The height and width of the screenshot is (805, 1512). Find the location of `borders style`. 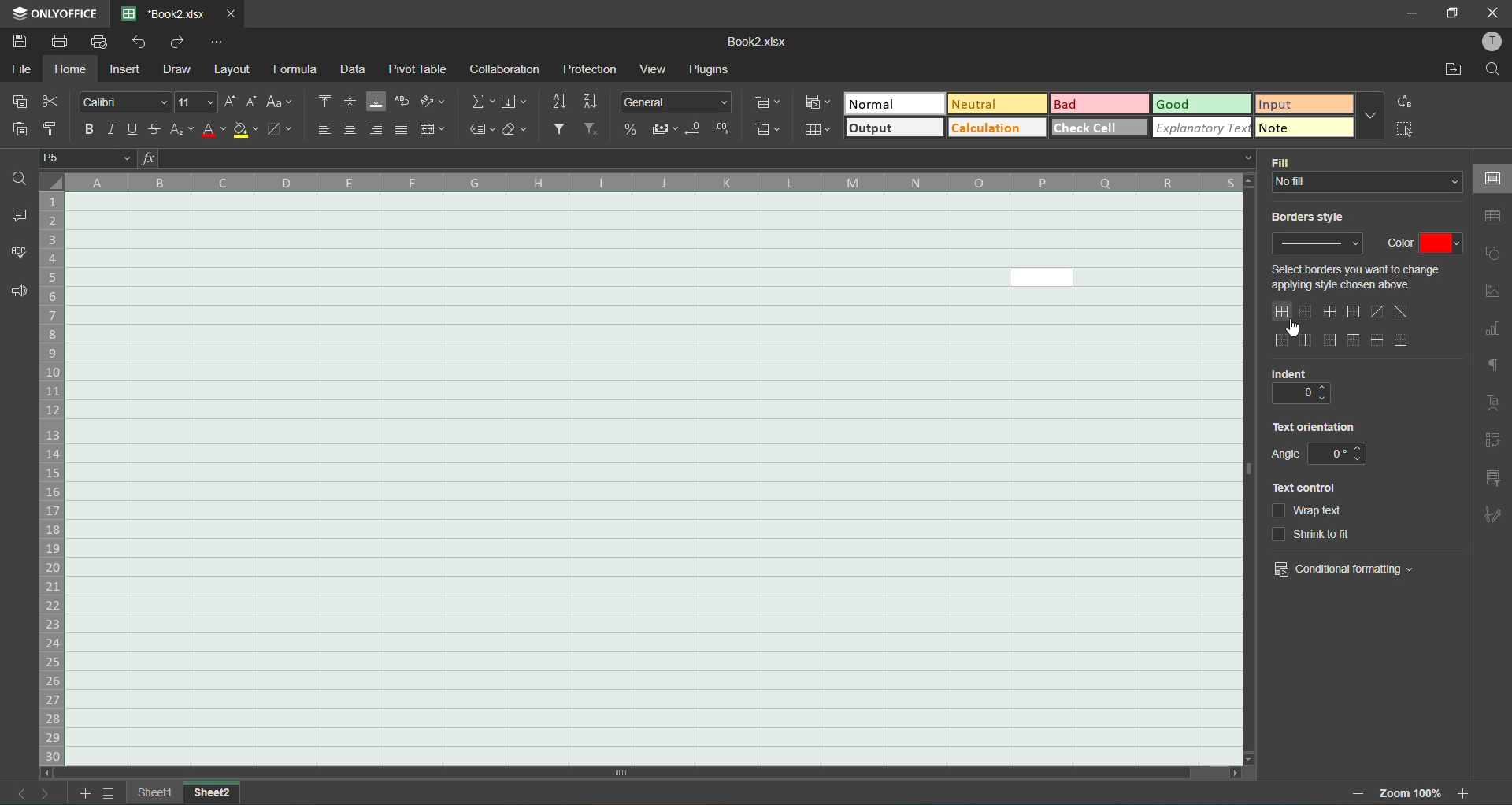

borders style is located at coordinates (1319, 212).